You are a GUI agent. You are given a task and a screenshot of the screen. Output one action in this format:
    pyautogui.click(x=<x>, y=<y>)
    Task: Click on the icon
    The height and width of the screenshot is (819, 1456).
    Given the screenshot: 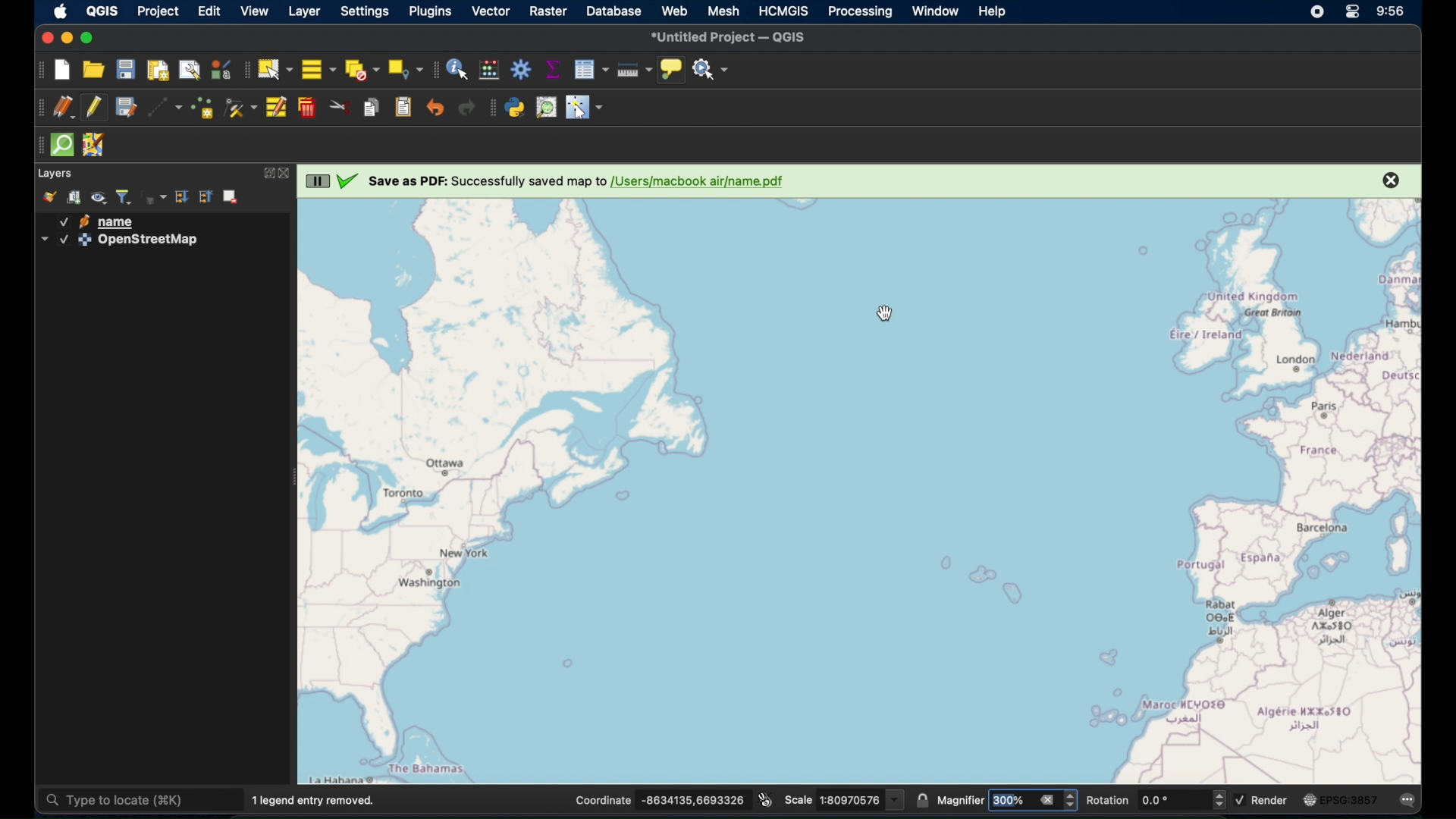 What is the action you would take?
    pyautogui.click(x=346, y=183)
    